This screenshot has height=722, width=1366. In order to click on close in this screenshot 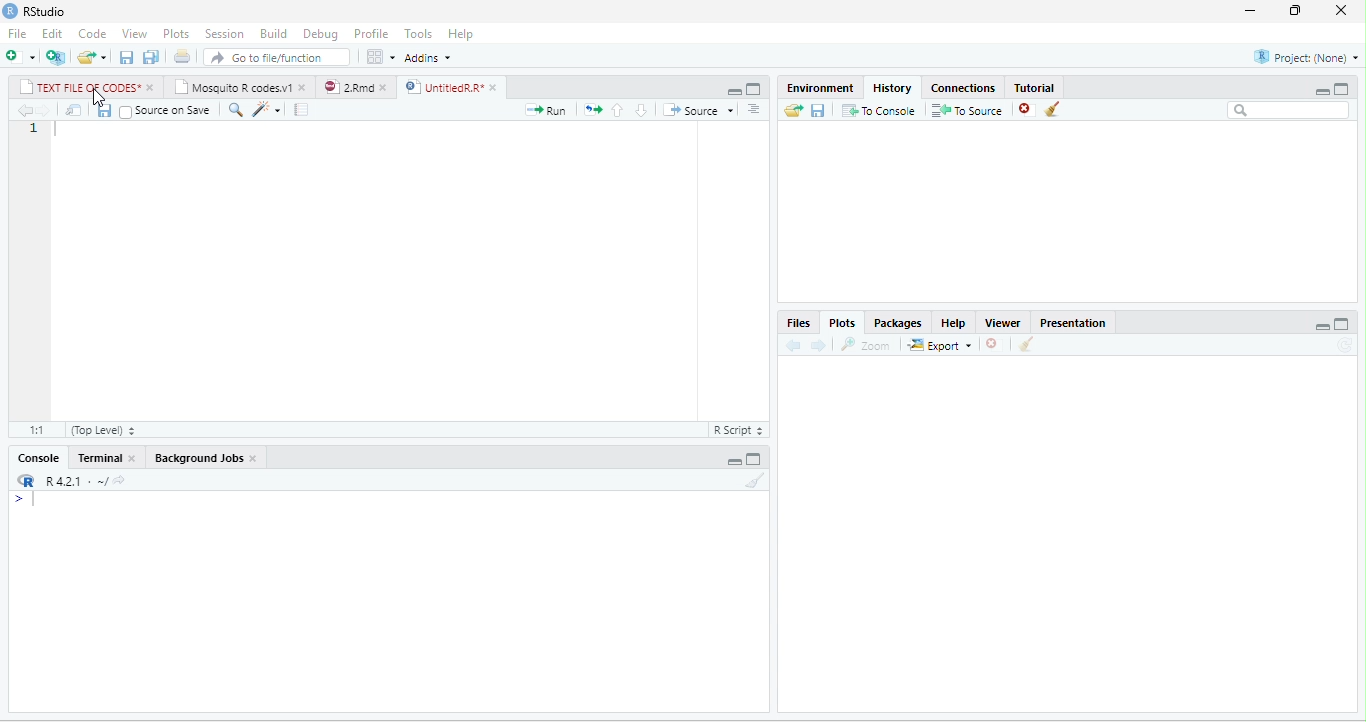, I will do `click(152, 88)`.